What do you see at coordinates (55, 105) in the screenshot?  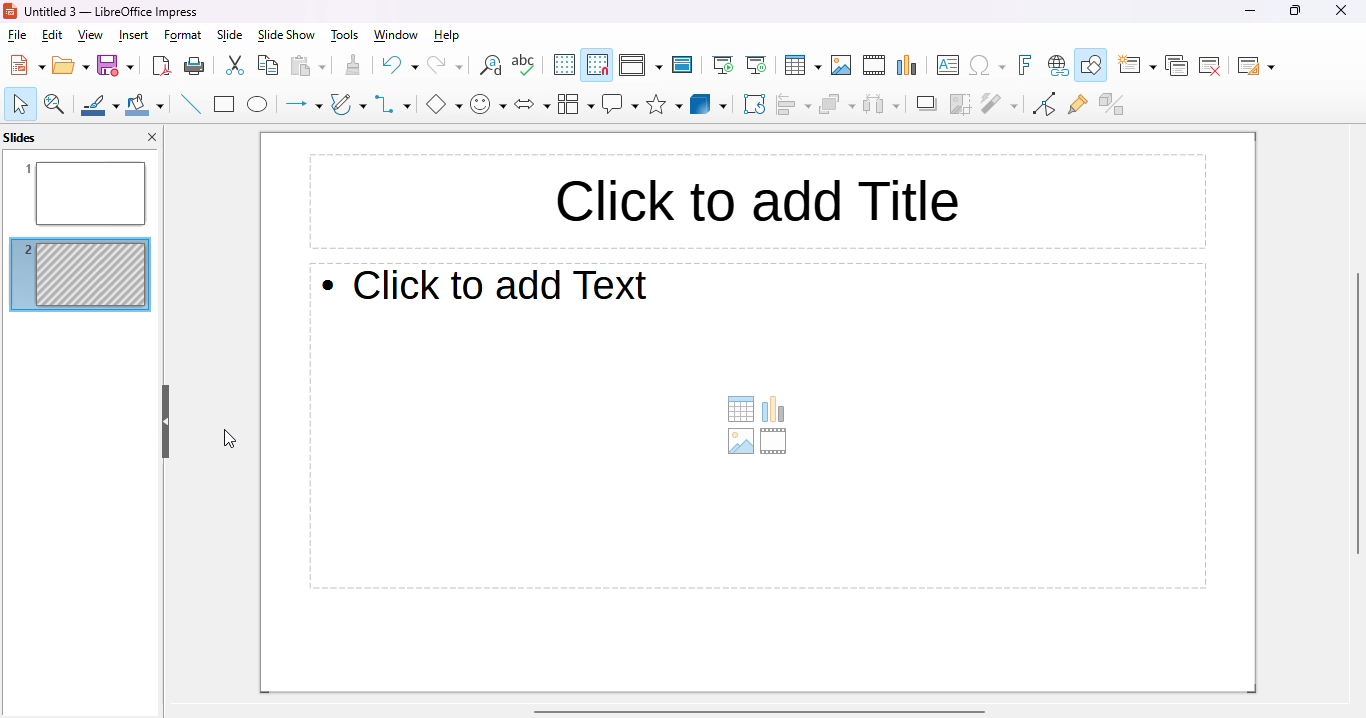 I see `zoom & pan` at bounding box center [55, 105].